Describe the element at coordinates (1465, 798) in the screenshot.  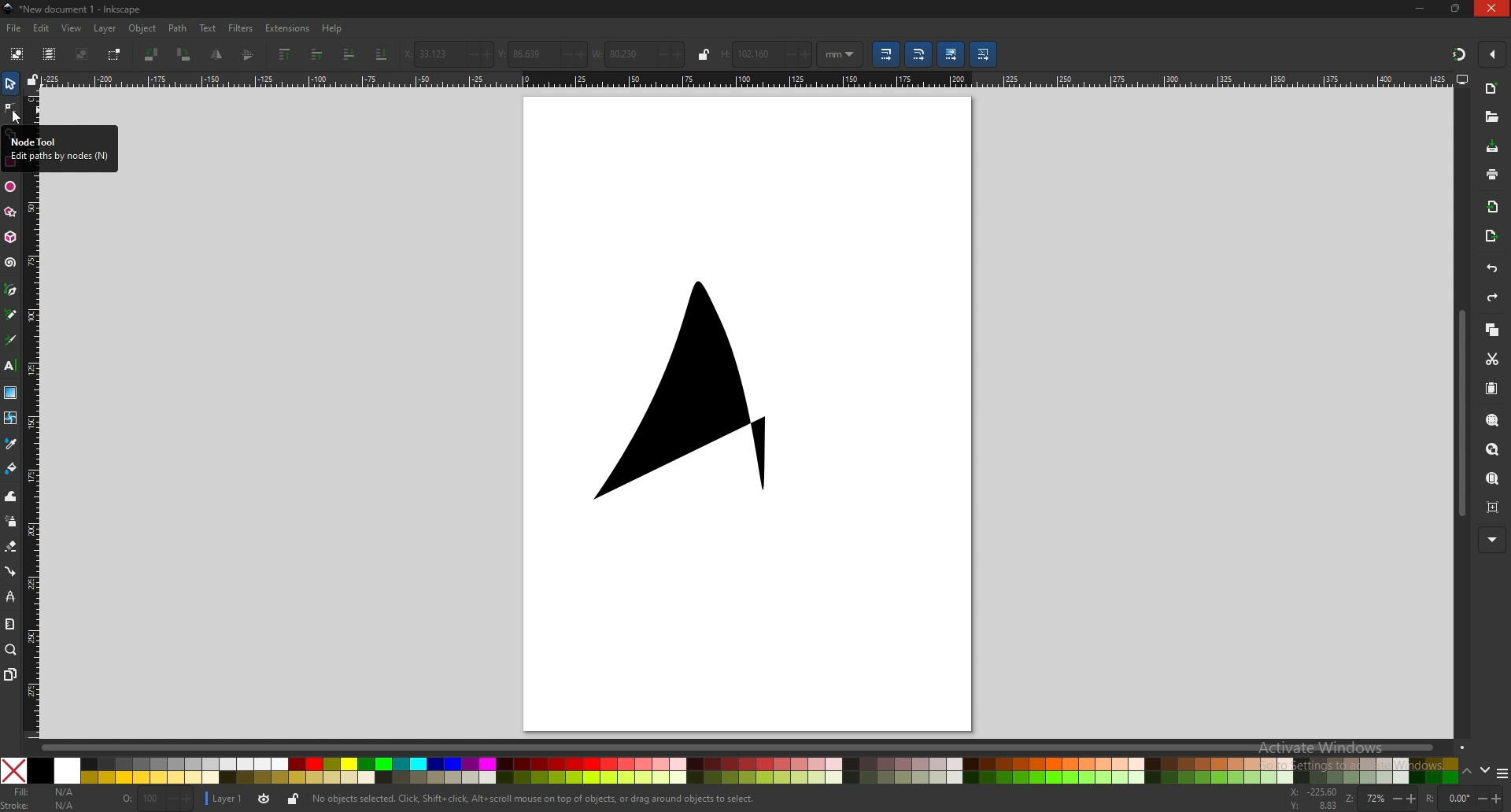
I see `rotate` at that location.